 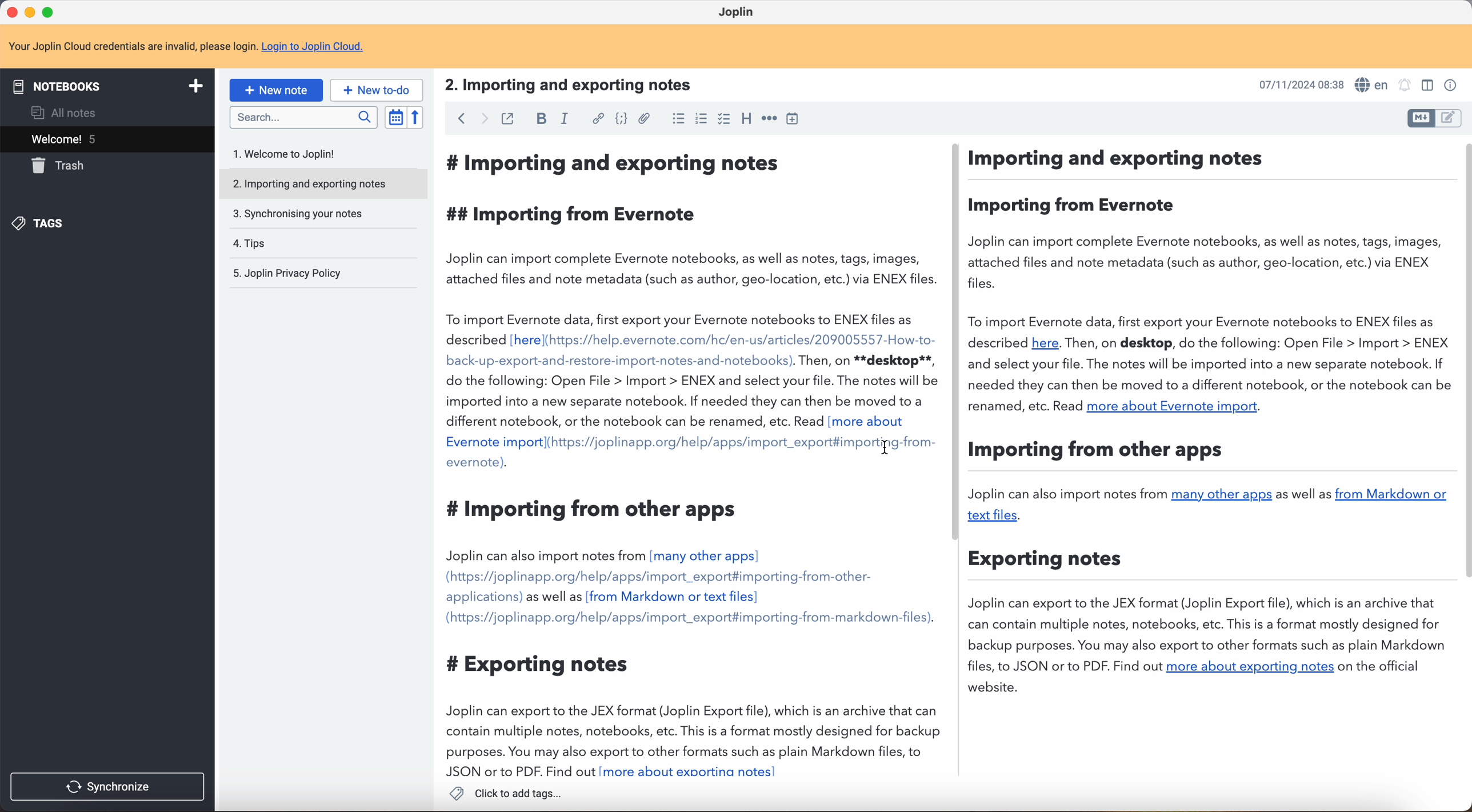 I want to click on spell checker, so click(x=1372, y=83).